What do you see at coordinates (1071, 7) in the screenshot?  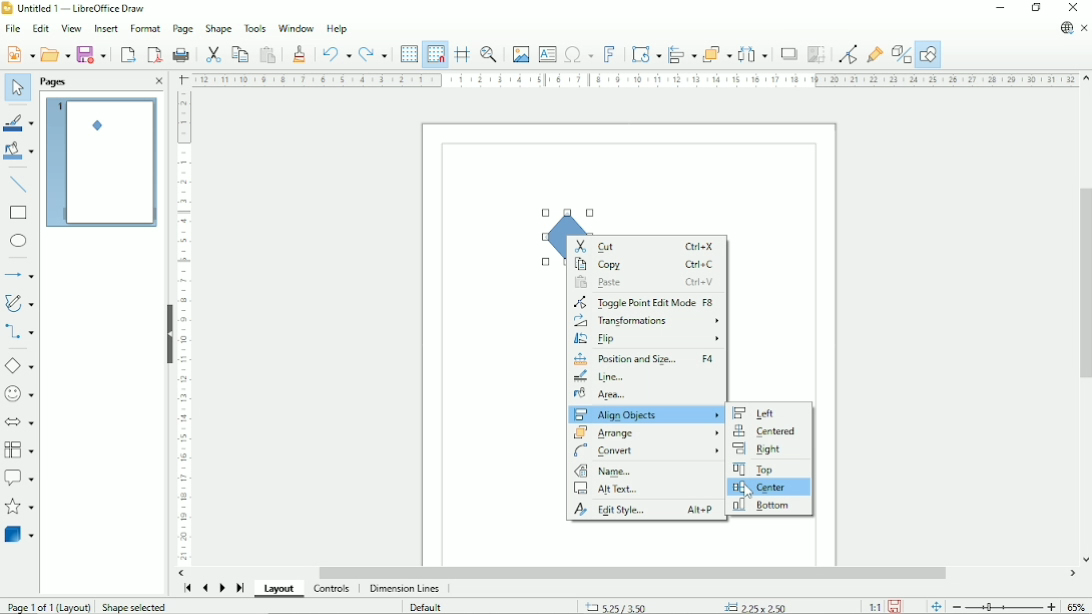 I see `Close` at bounding box center [1071, 7].